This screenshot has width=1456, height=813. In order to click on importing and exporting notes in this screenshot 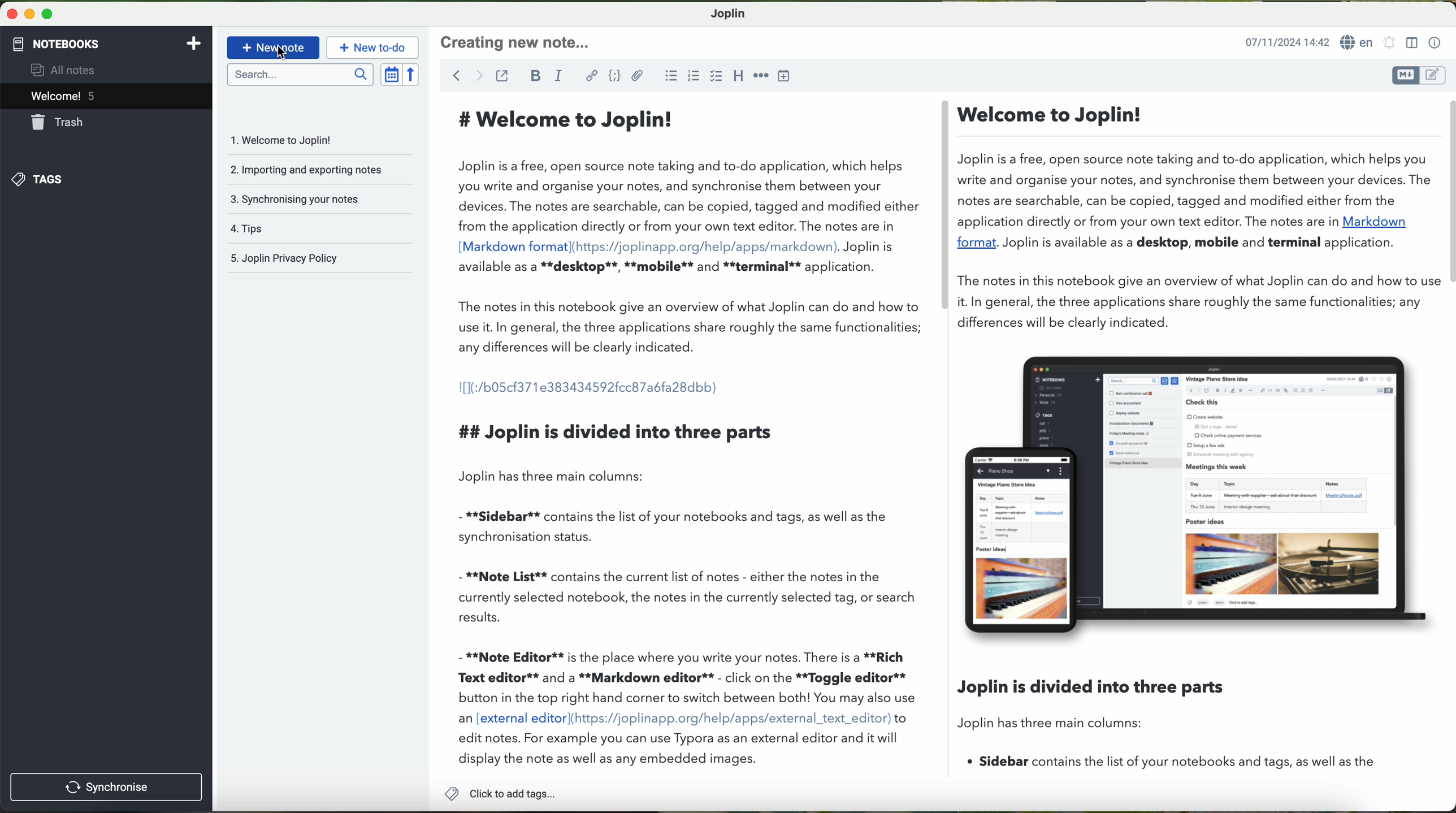, I will do `click(318, 168)`.